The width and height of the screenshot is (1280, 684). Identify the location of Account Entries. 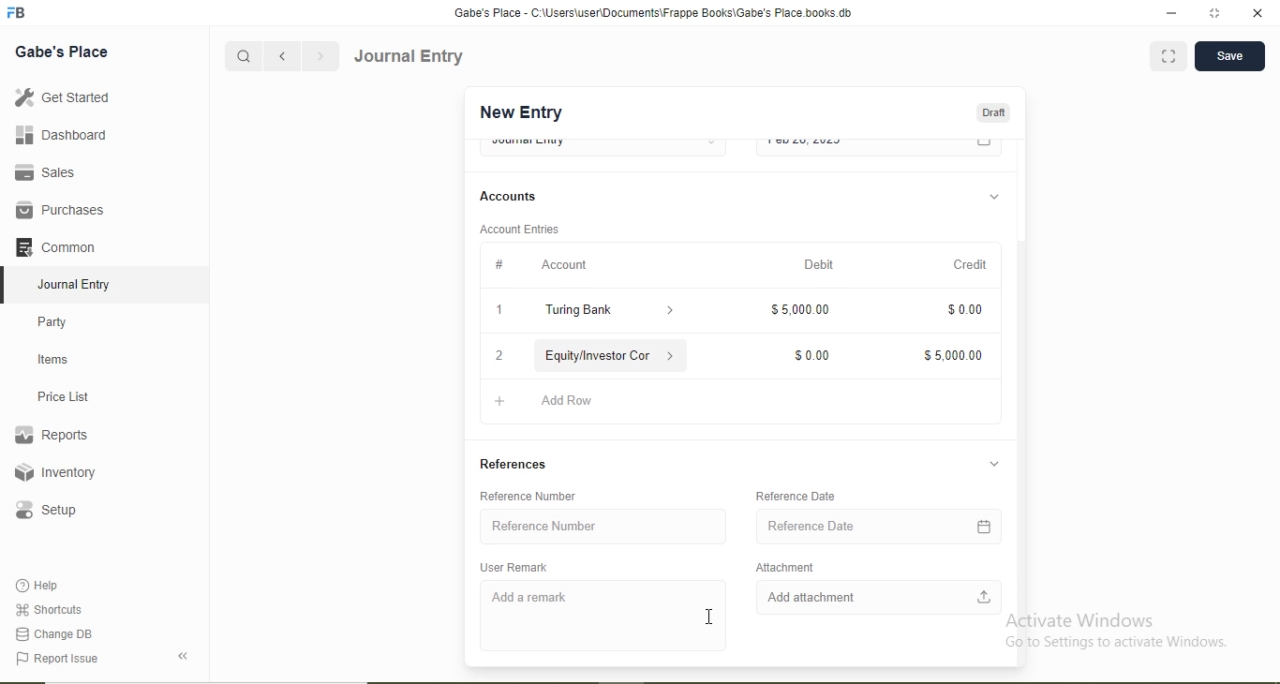
(519, 229).